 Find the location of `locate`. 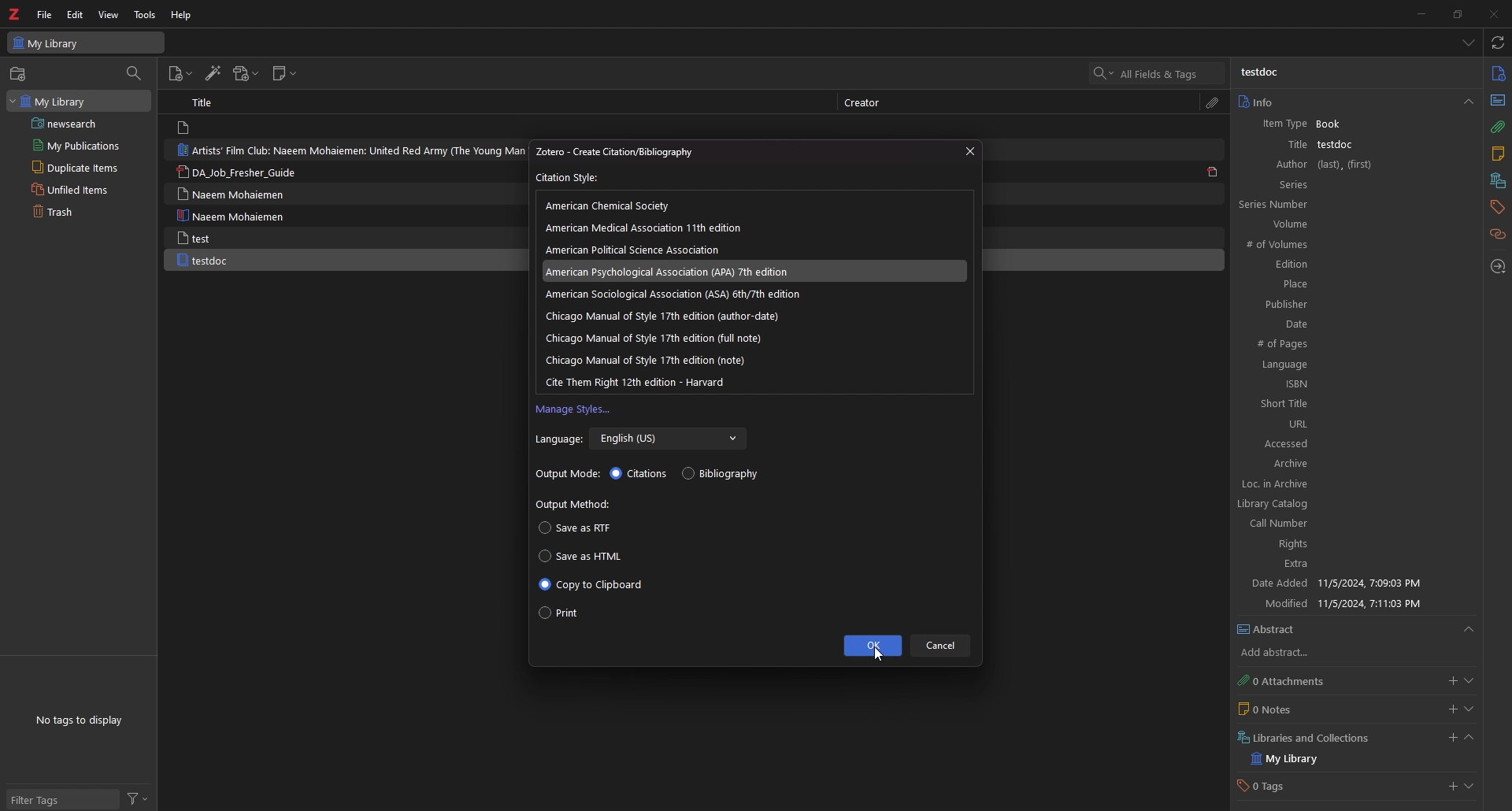

locate is located at coordinates (1499, 268).